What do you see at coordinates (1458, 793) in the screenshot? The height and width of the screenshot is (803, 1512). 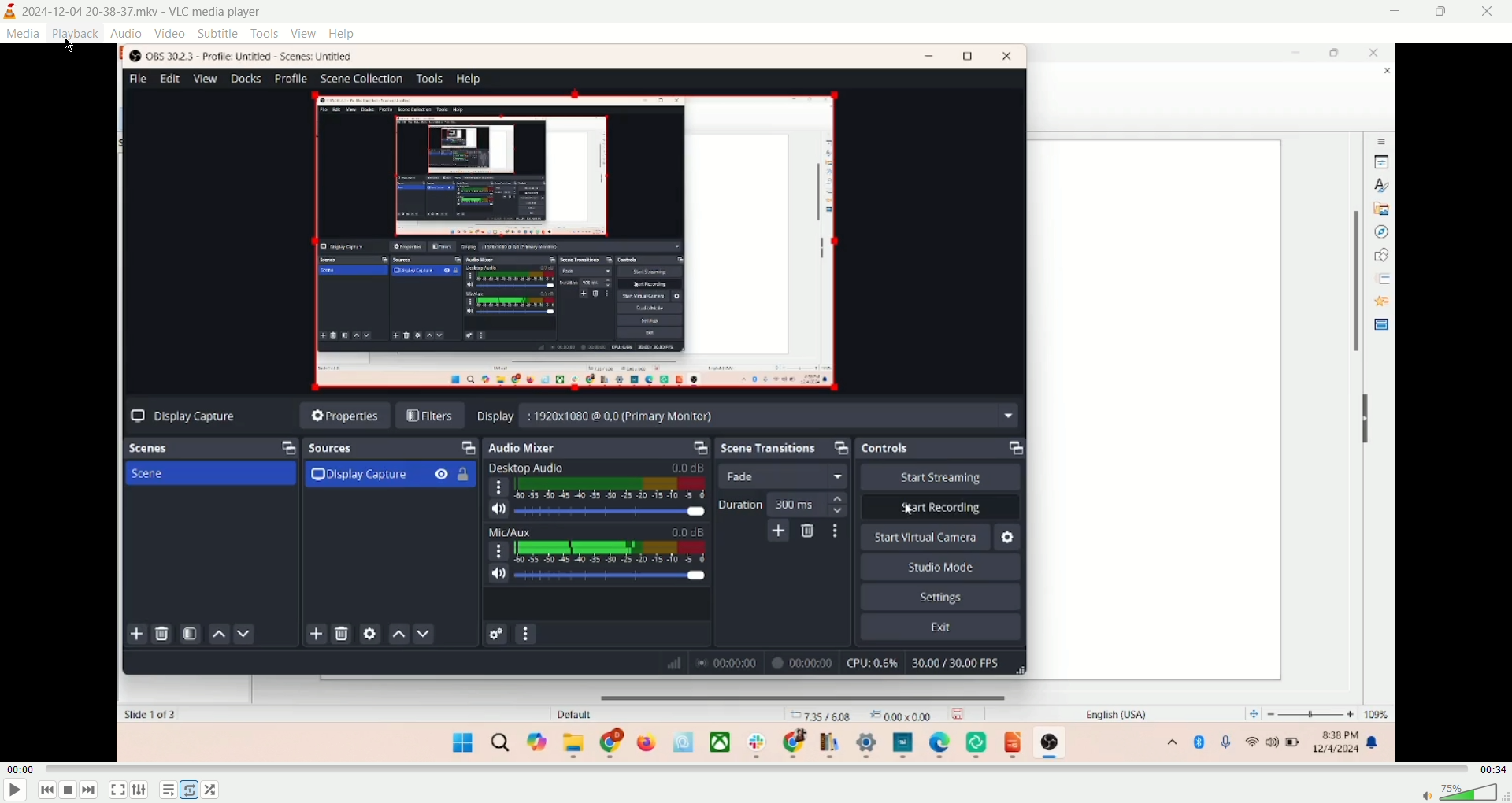 I see `volume bar` at bounding box center [1458, 793].